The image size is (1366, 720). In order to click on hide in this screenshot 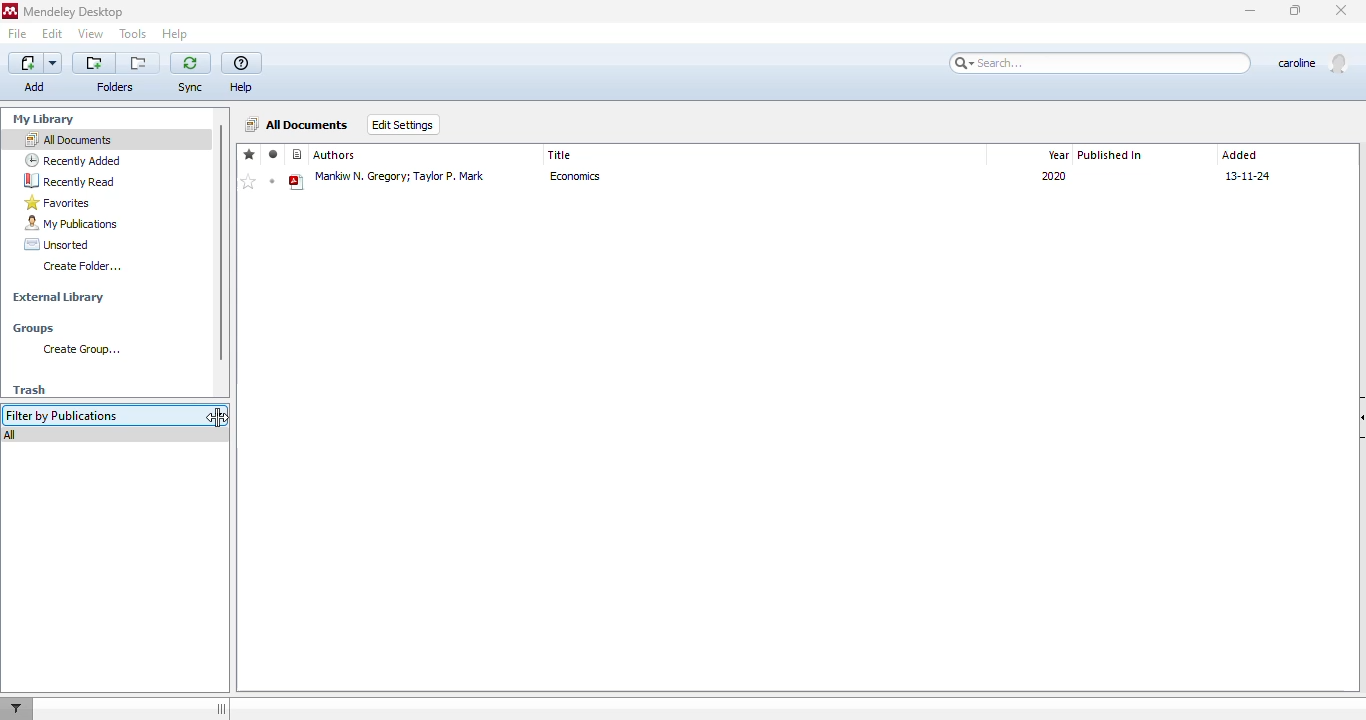, I will do `click(1357, 418)`.